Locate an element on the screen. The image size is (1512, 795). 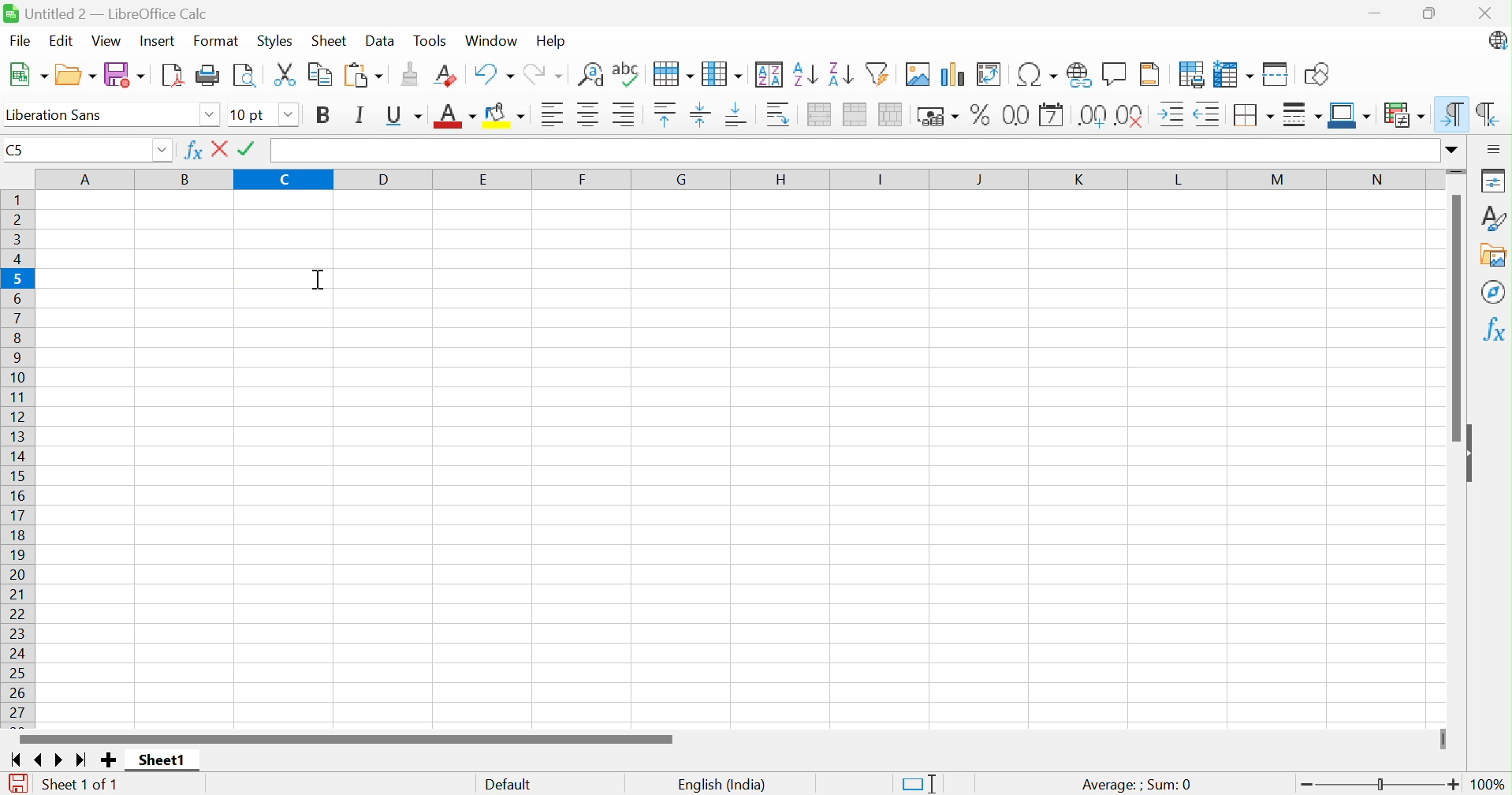
Undo is located at coordinates (494, 73).